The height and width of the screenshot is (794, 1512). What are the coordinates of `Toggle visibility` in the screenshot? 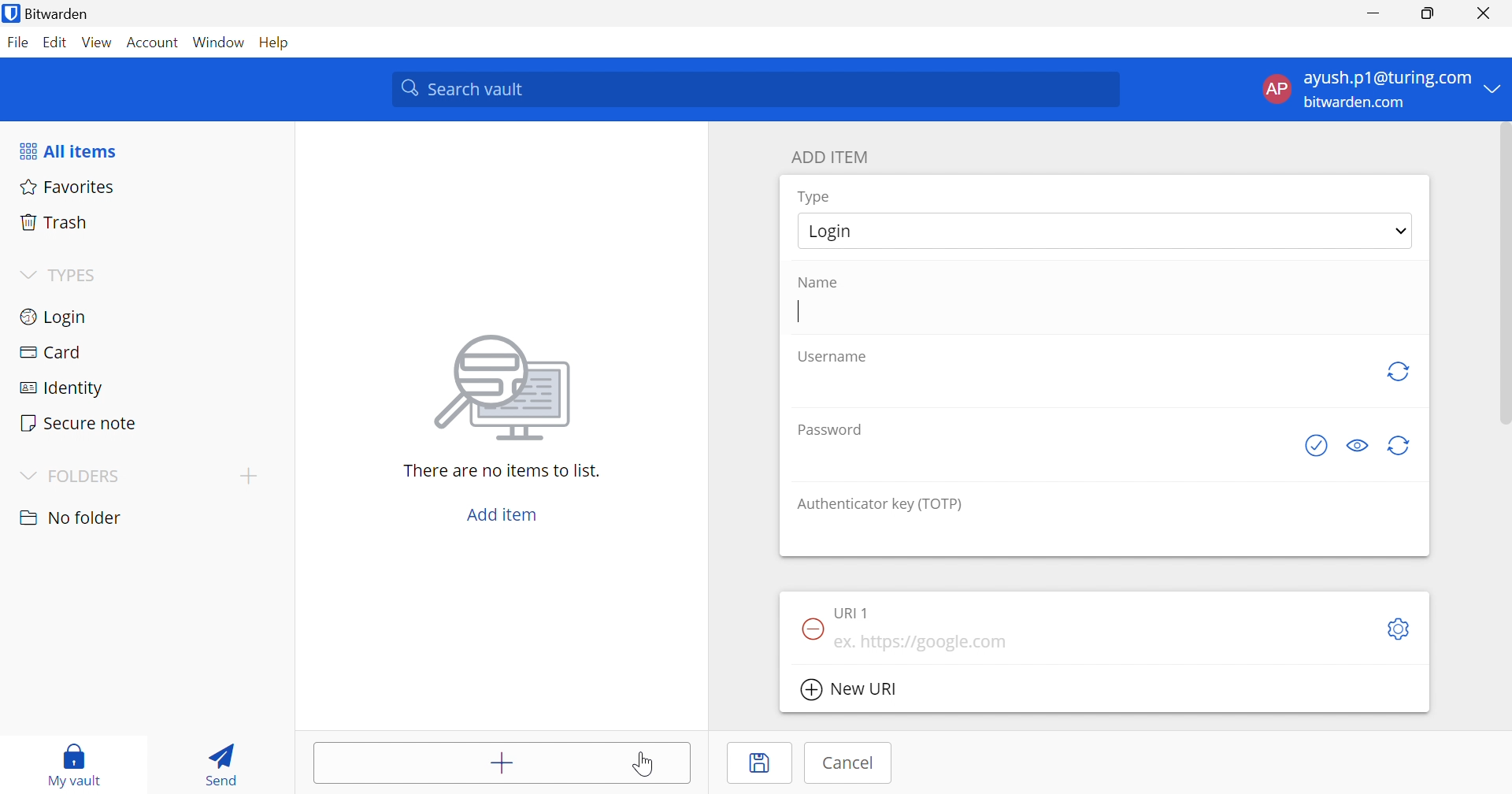 It's located at (1355, 446).